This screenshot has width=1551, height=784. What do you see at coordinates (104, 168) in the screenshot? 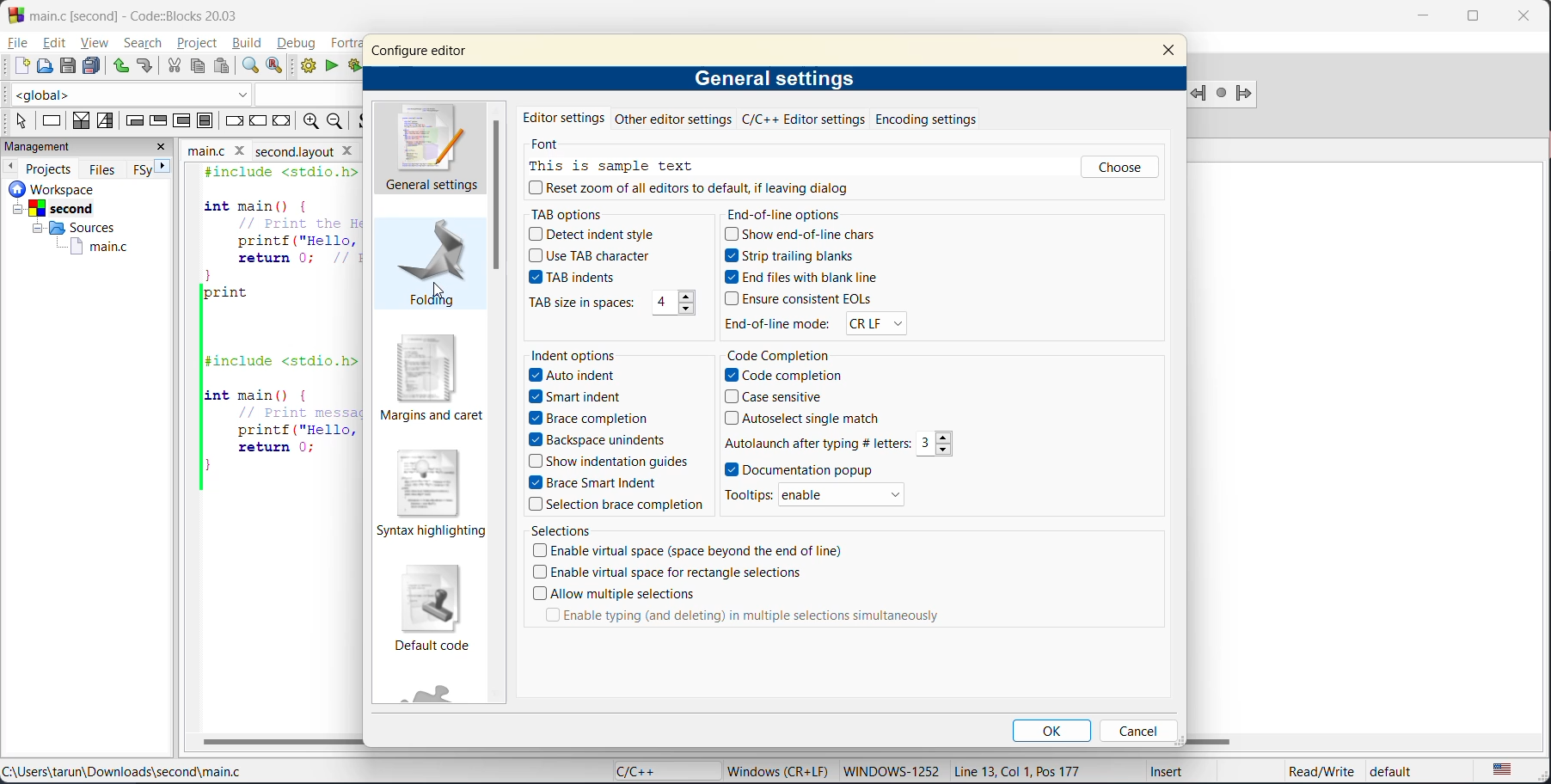
I see `files` at bounding box center [104, 168].